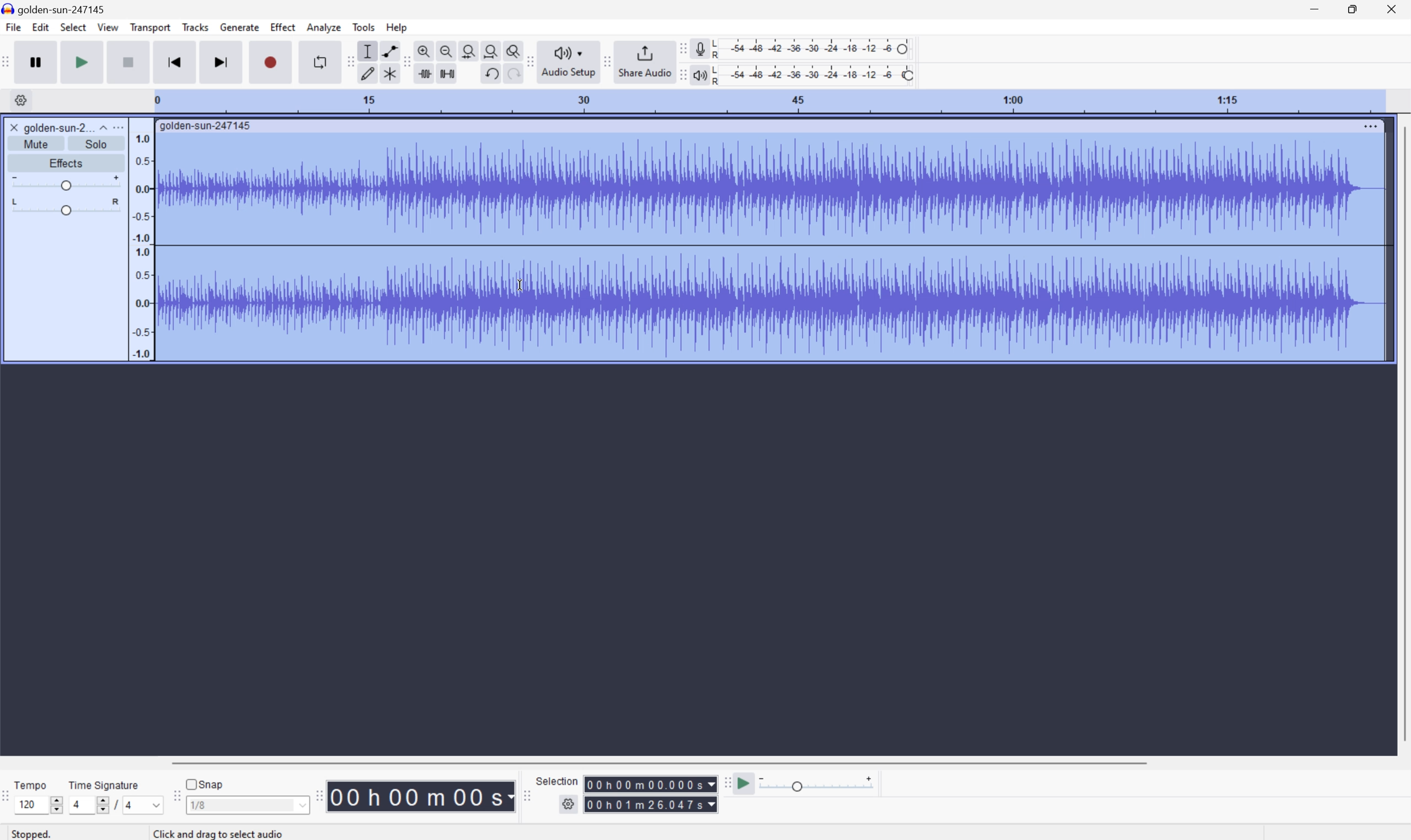 Image resolution: width=1411 pixels, height=840 pixels. What do you see at coordinates (680, 76) in the screenshot?
I see `Audacity playback meter toolbar` at bounding box center [680, 76].